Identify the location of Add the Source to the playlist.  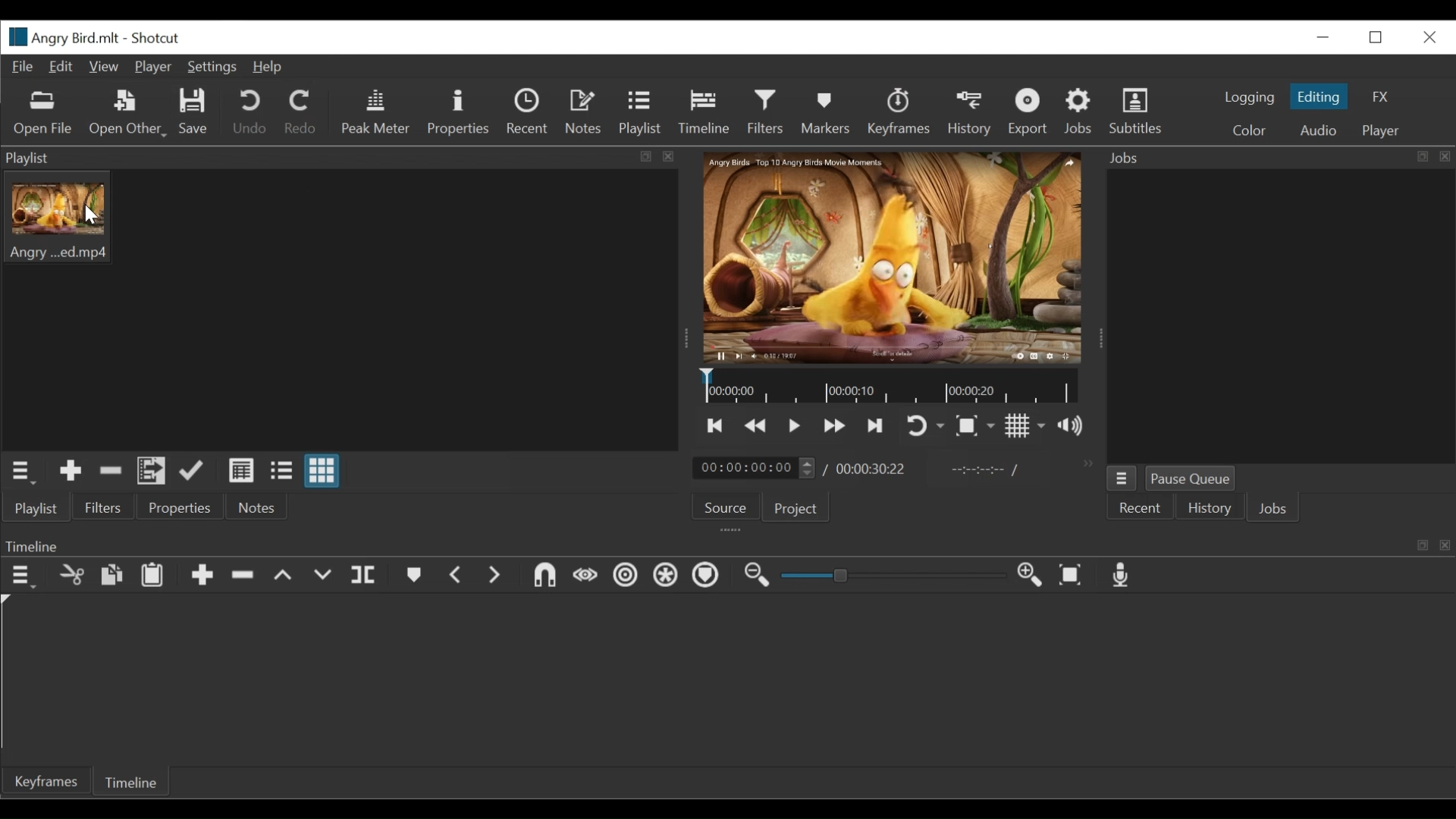
(70, 471).